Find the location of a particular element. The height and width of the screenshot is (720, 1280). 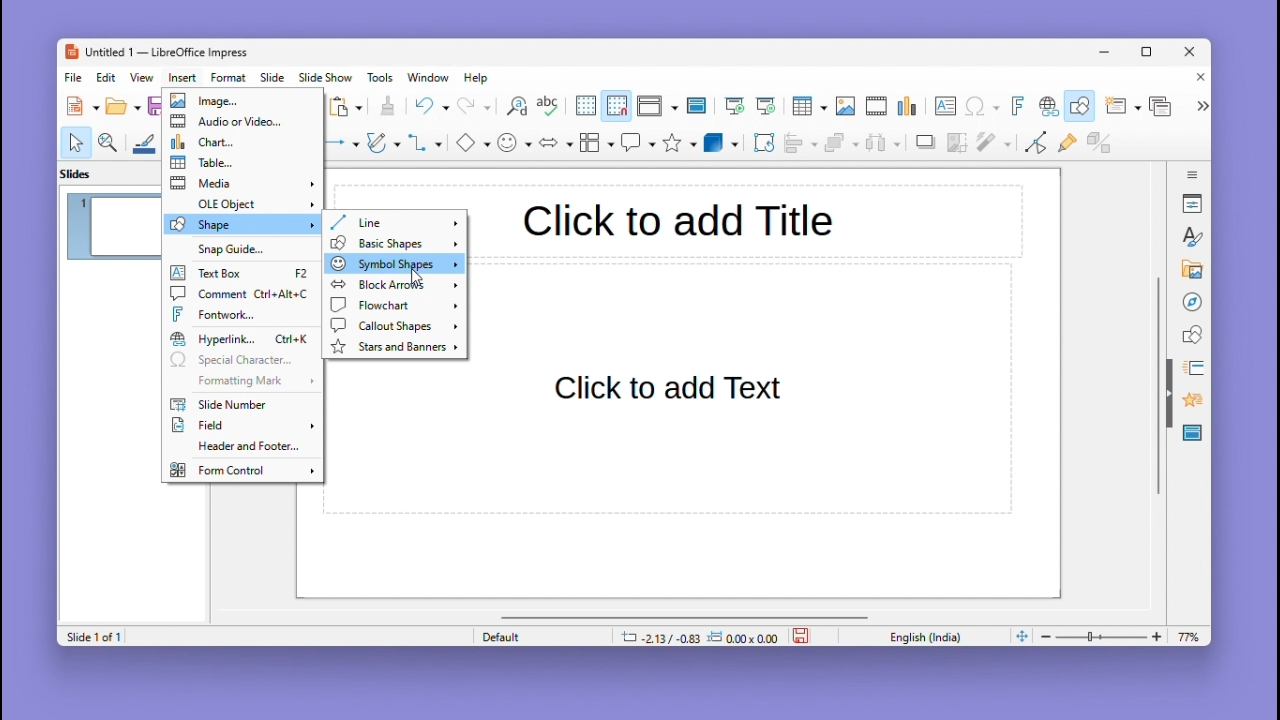

Glue point is located at coordinates (1071, 145).